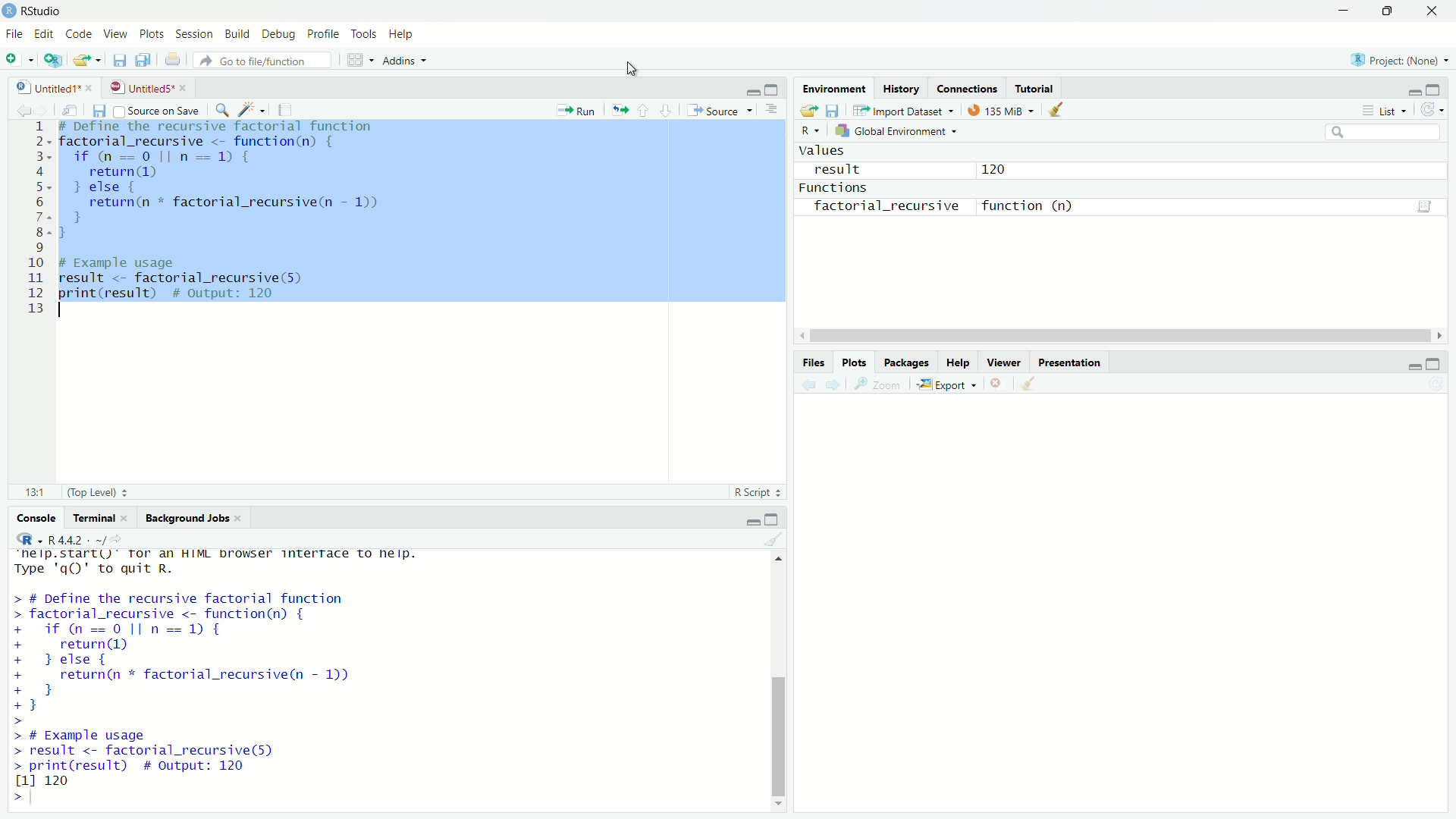  What do you see at coordinates (777, 805) in the screenshot?
I see `Down` at bounding box center [777, 805].